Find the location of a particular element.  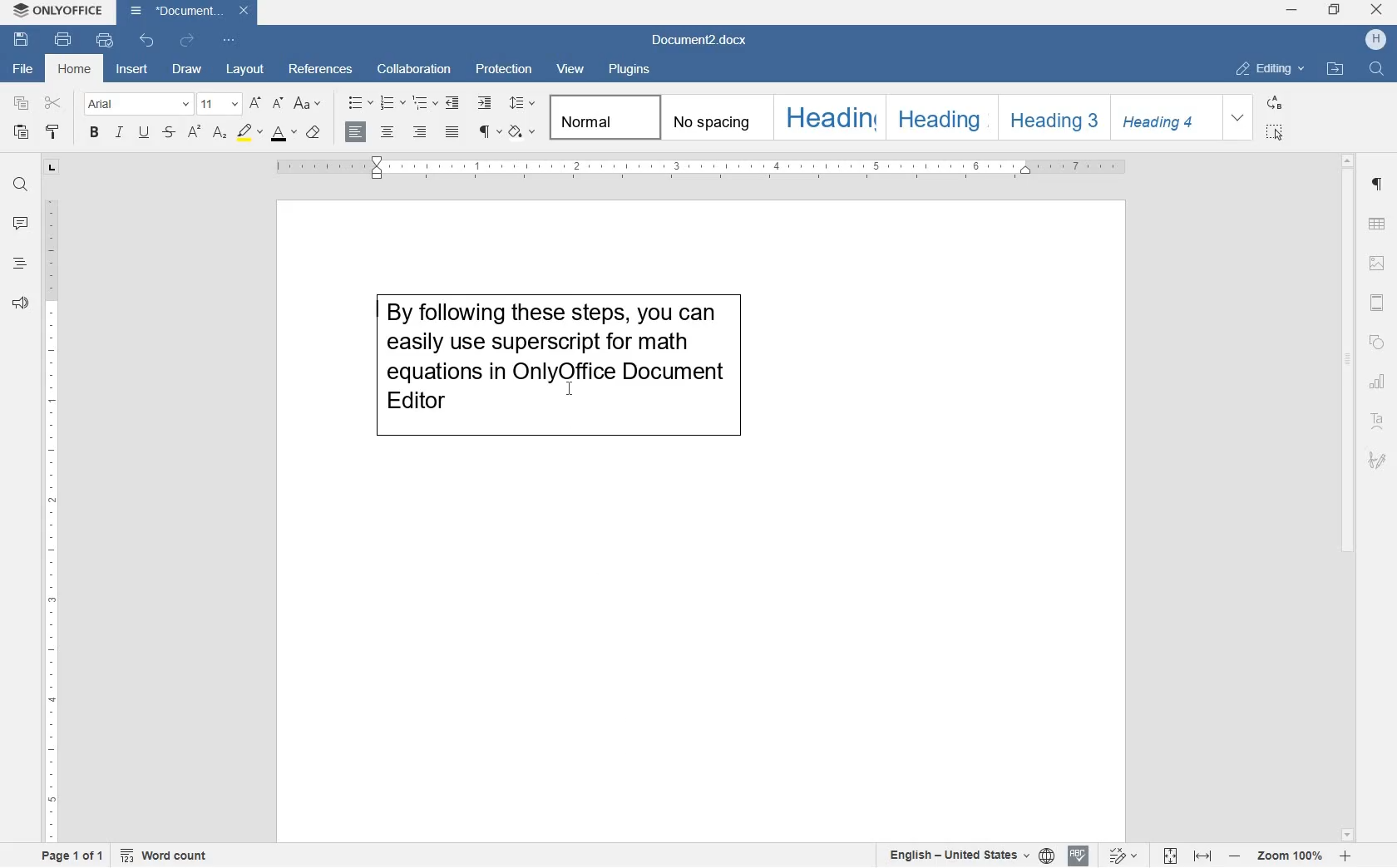

multilevel list is located at coordinates (426, 103).